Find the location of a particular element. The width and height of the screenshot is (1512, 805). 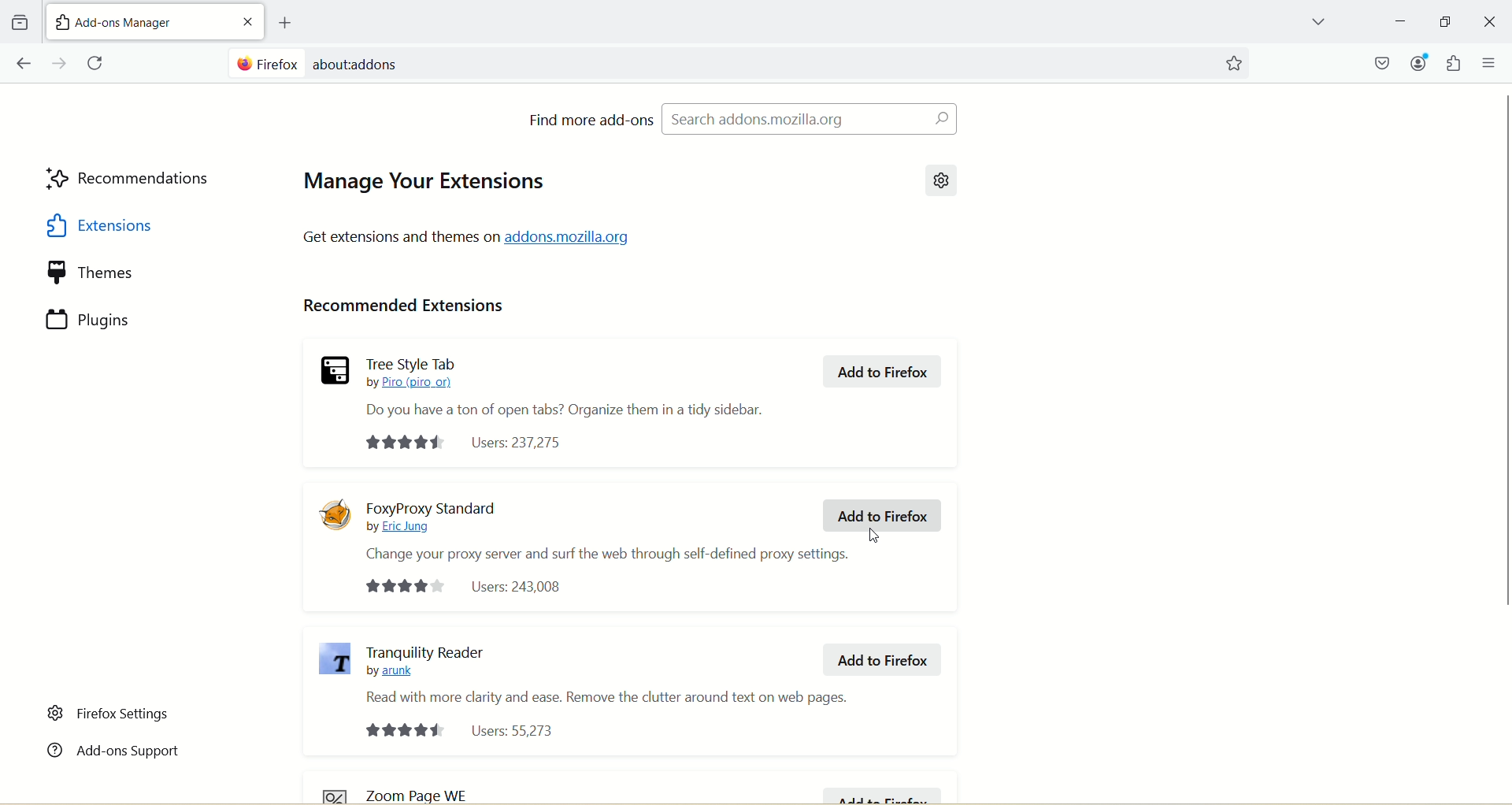

Read with more clarity and ease. Remove the clutter around text on web pages. is located at coordinates (607, 697).